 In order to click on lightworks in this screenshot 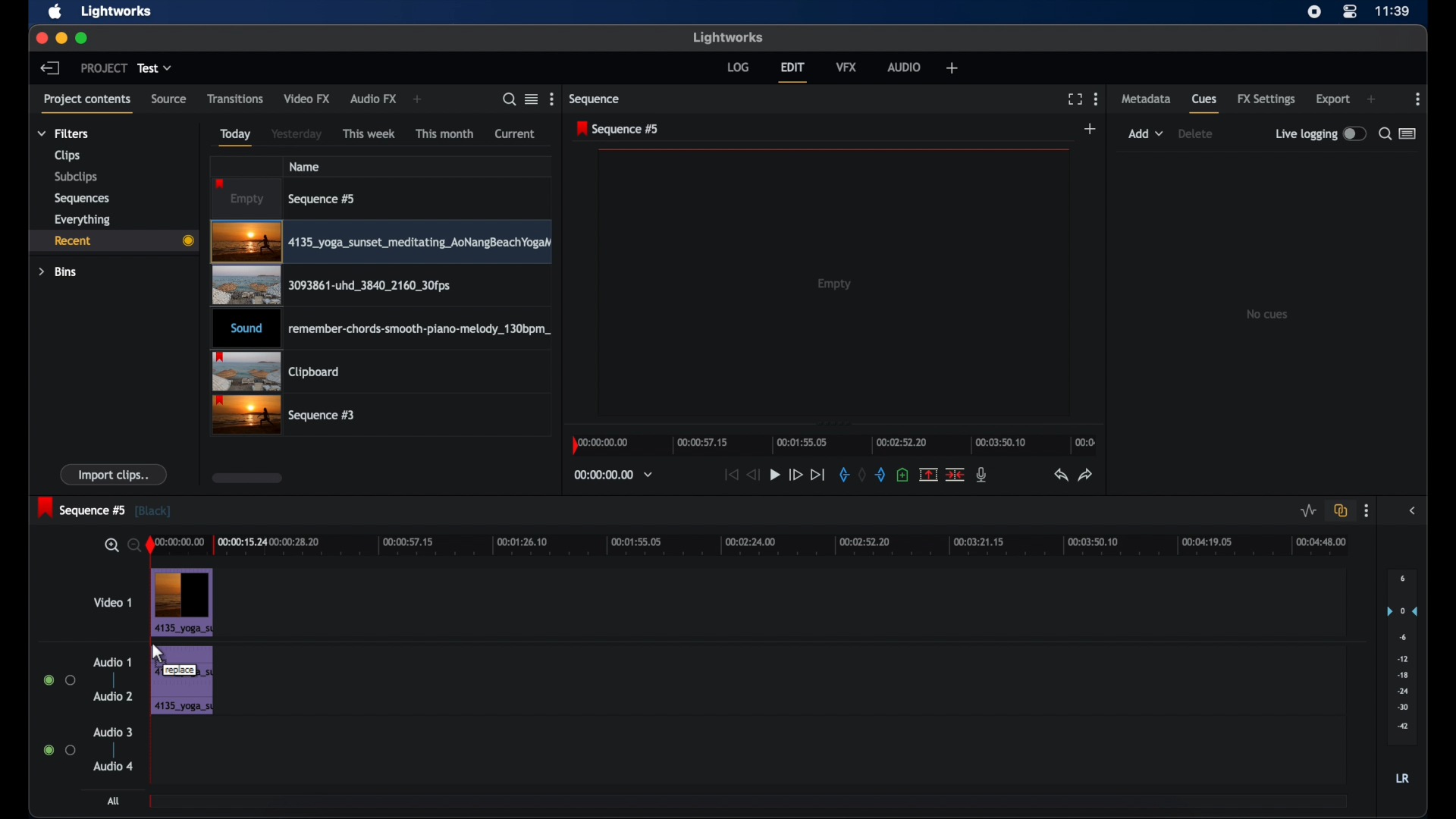, I will do `click(730, 38)`.